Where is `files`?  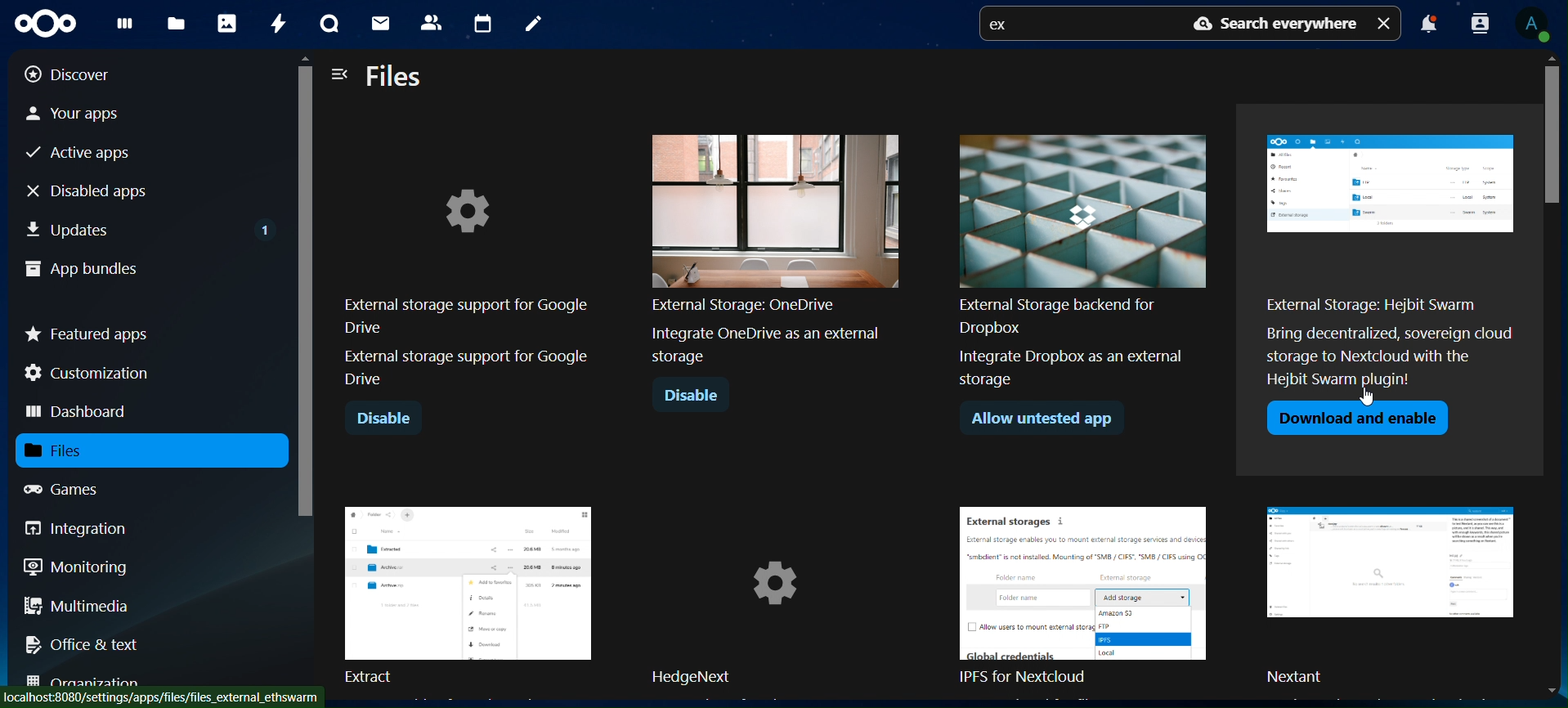 files is located at coordinates (179, 23).